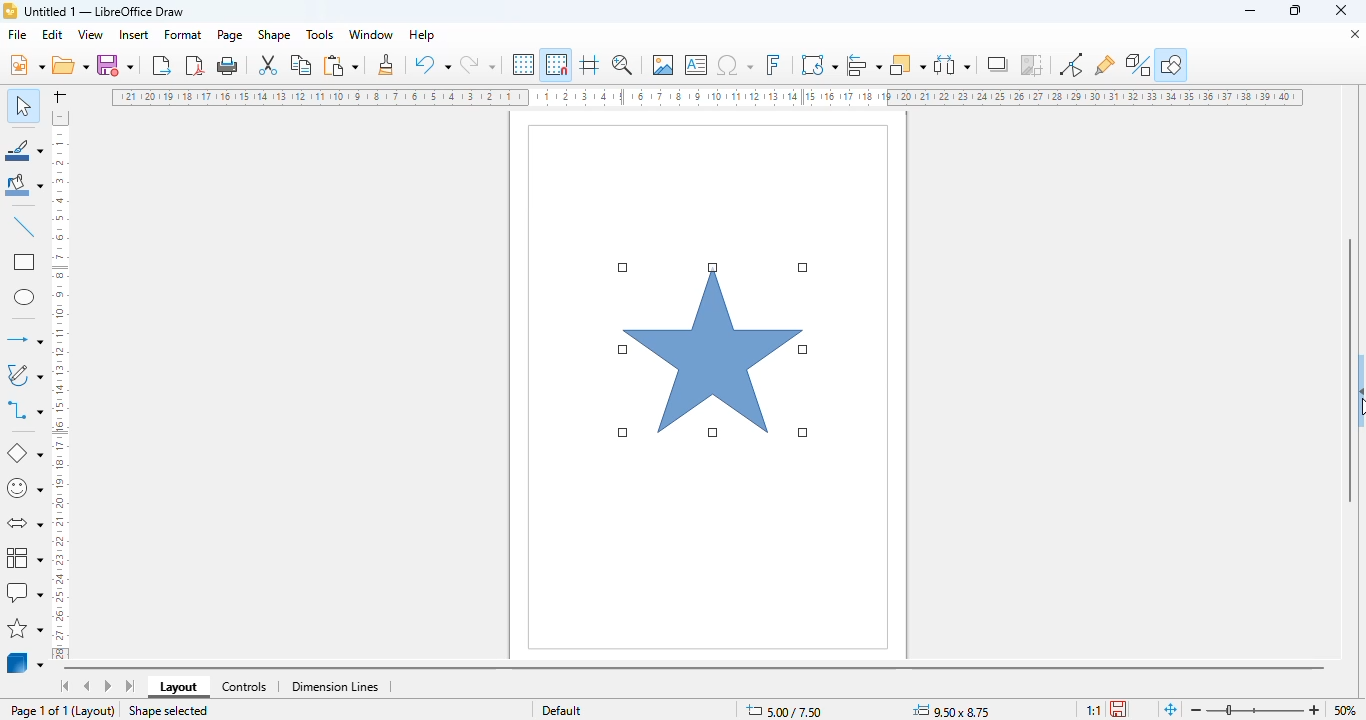 This screenshot has width=1366, height=720. Describe the element at coordinates (25, 489) in the screenshot. I see `symbol shapes` at that location.